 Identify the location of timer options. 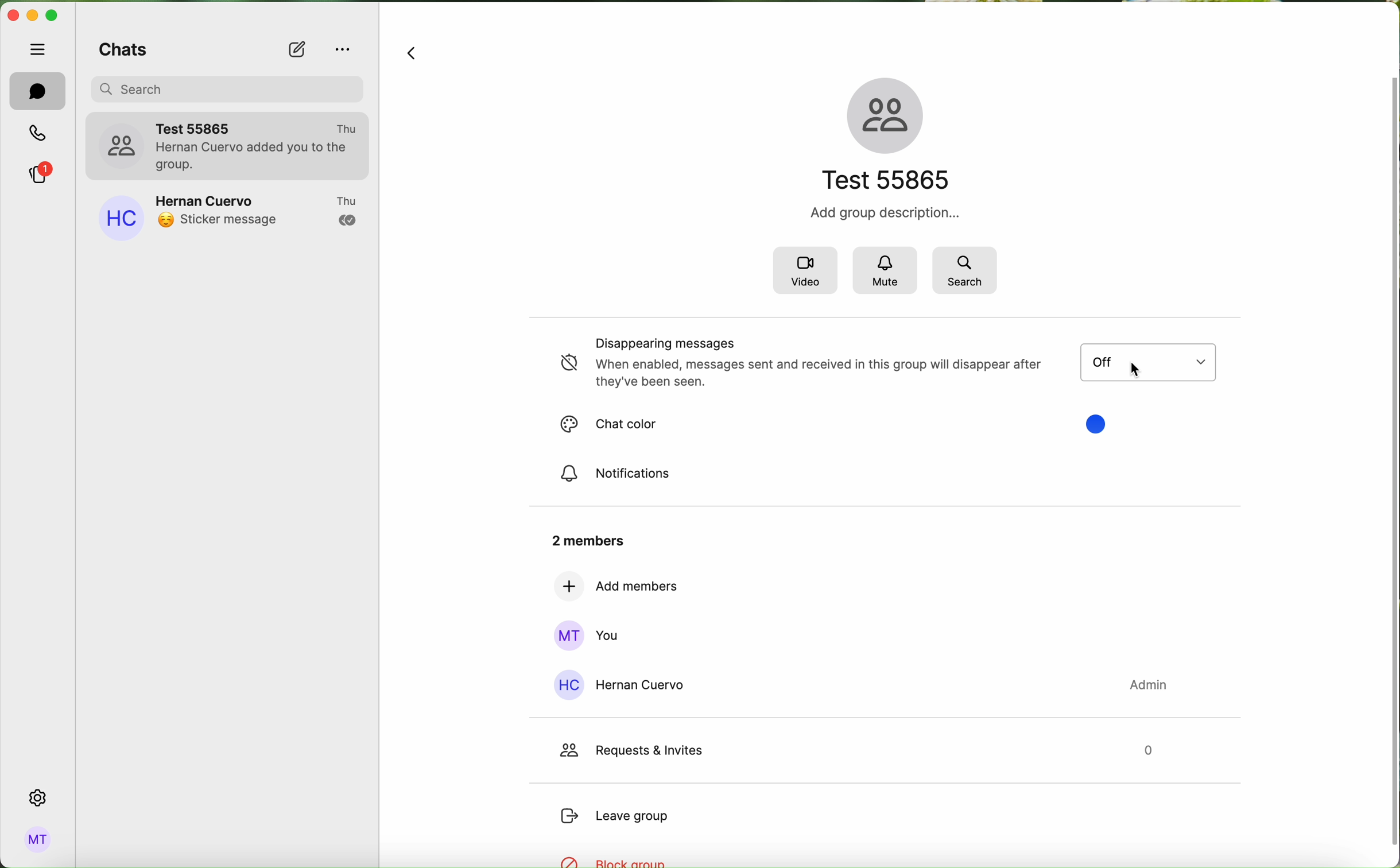
(1147, 361).